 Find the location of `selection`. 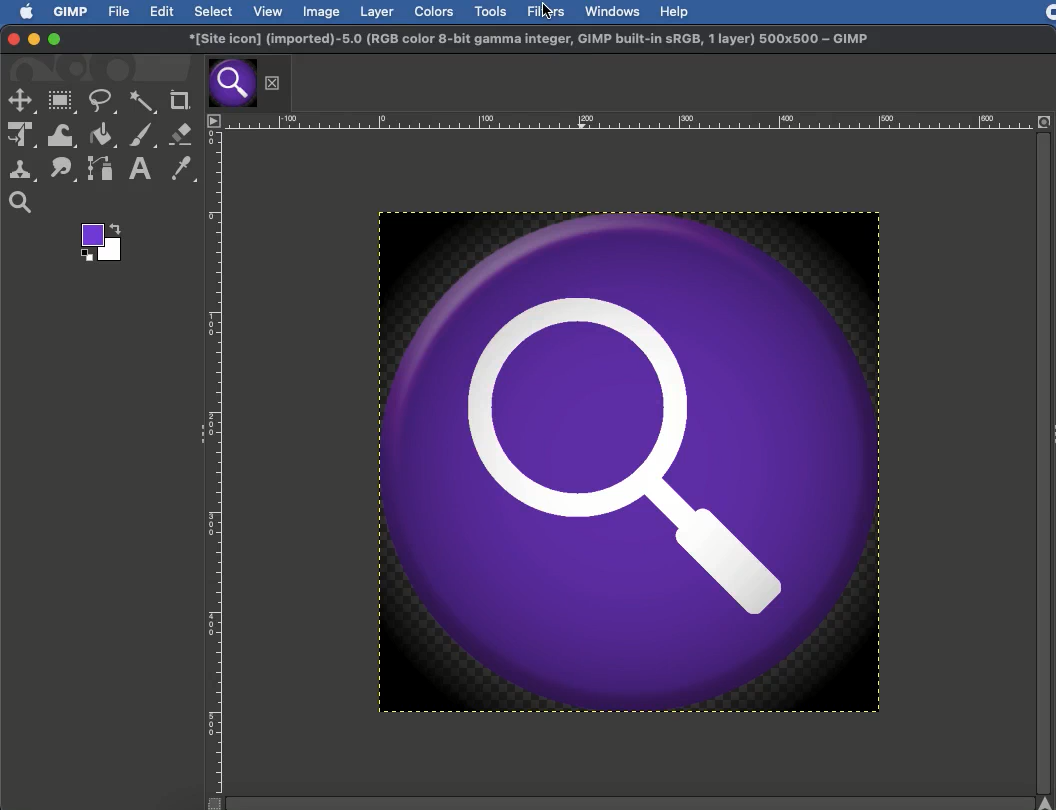

selection is located at coordinates (23, 103).